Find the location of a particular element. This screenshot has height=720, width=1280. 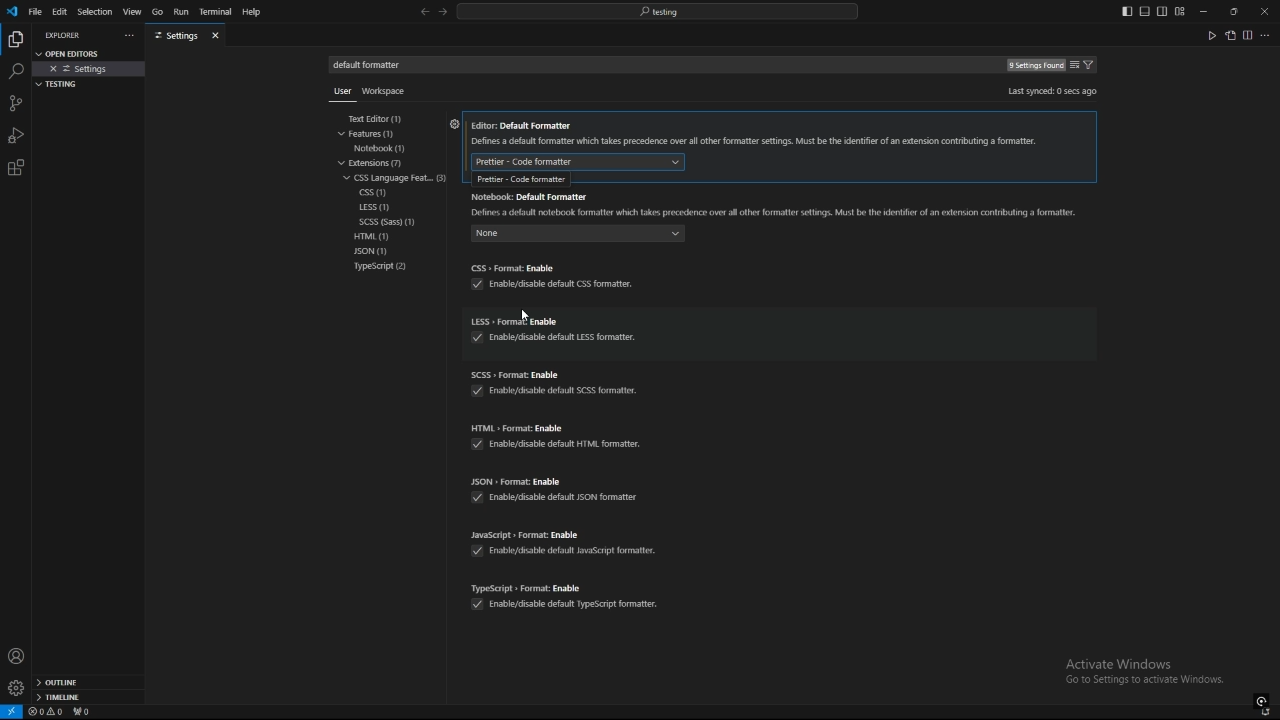

scss format enable is located at coordinates (558, 373).